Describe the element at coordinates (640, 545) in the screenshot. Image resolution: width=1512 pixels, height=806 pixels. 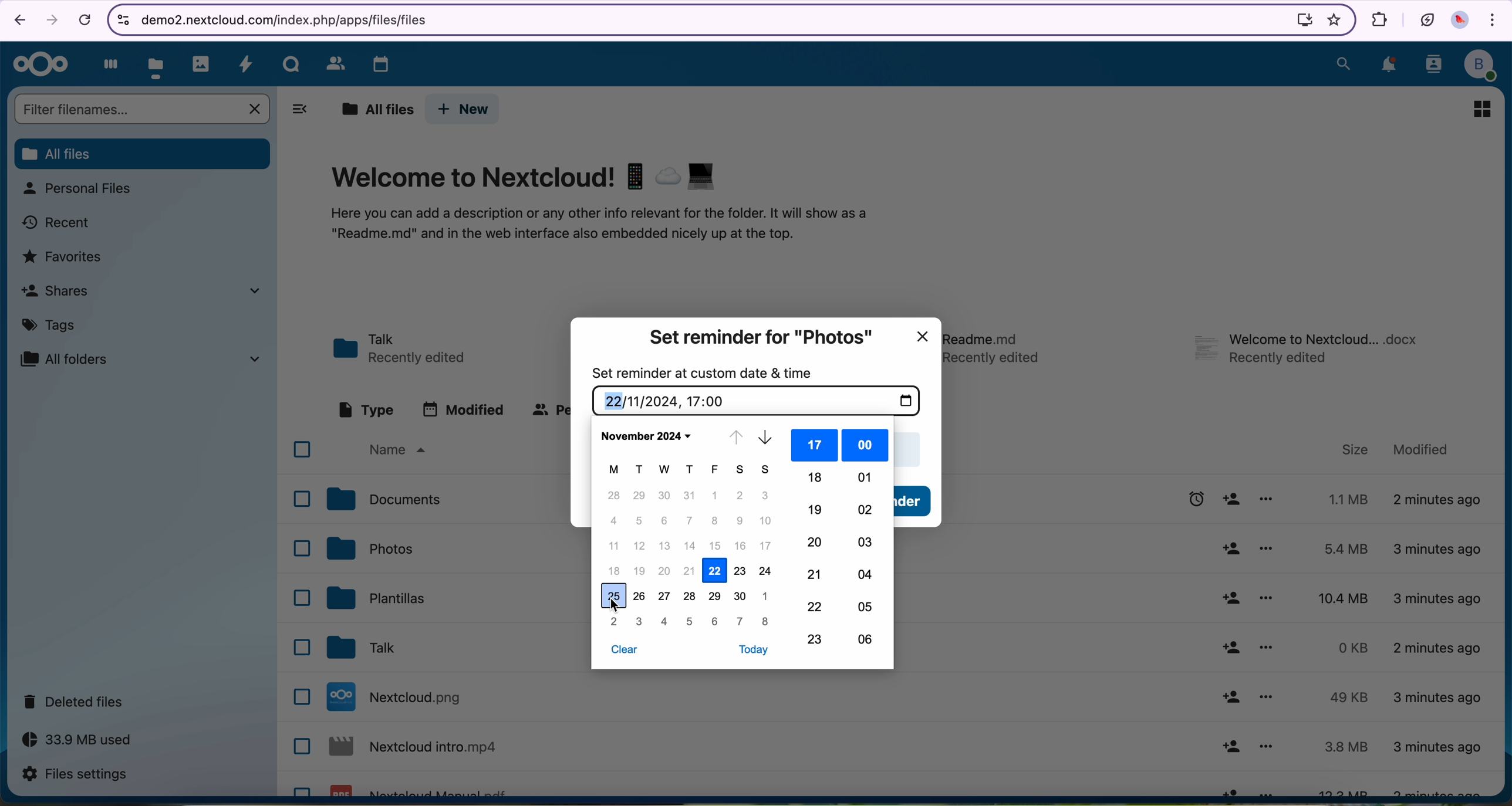
I see `12` at that location.